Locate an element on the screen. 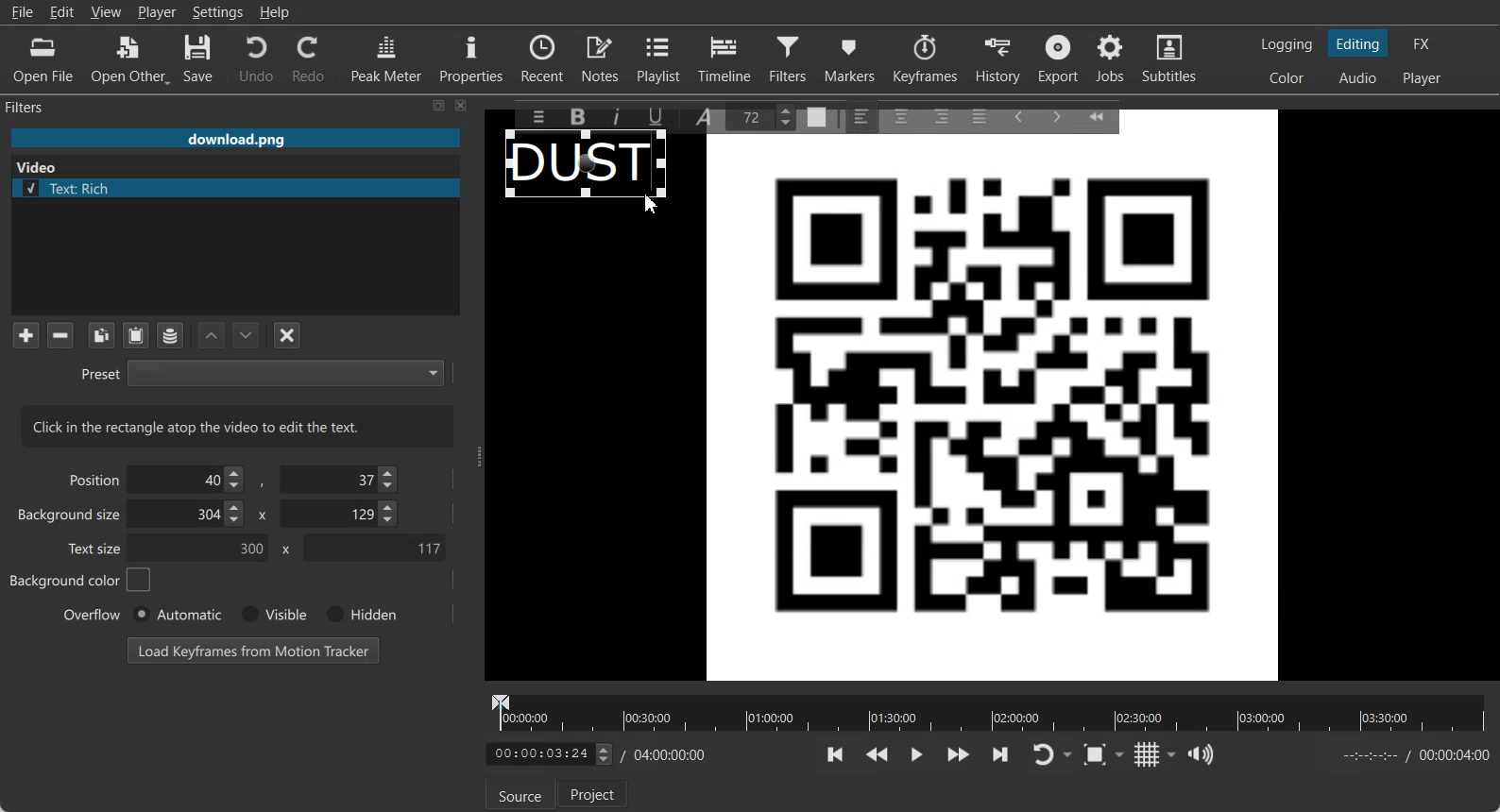 The image size is (1500, 812). Menu is located at coordinates (537, 116).